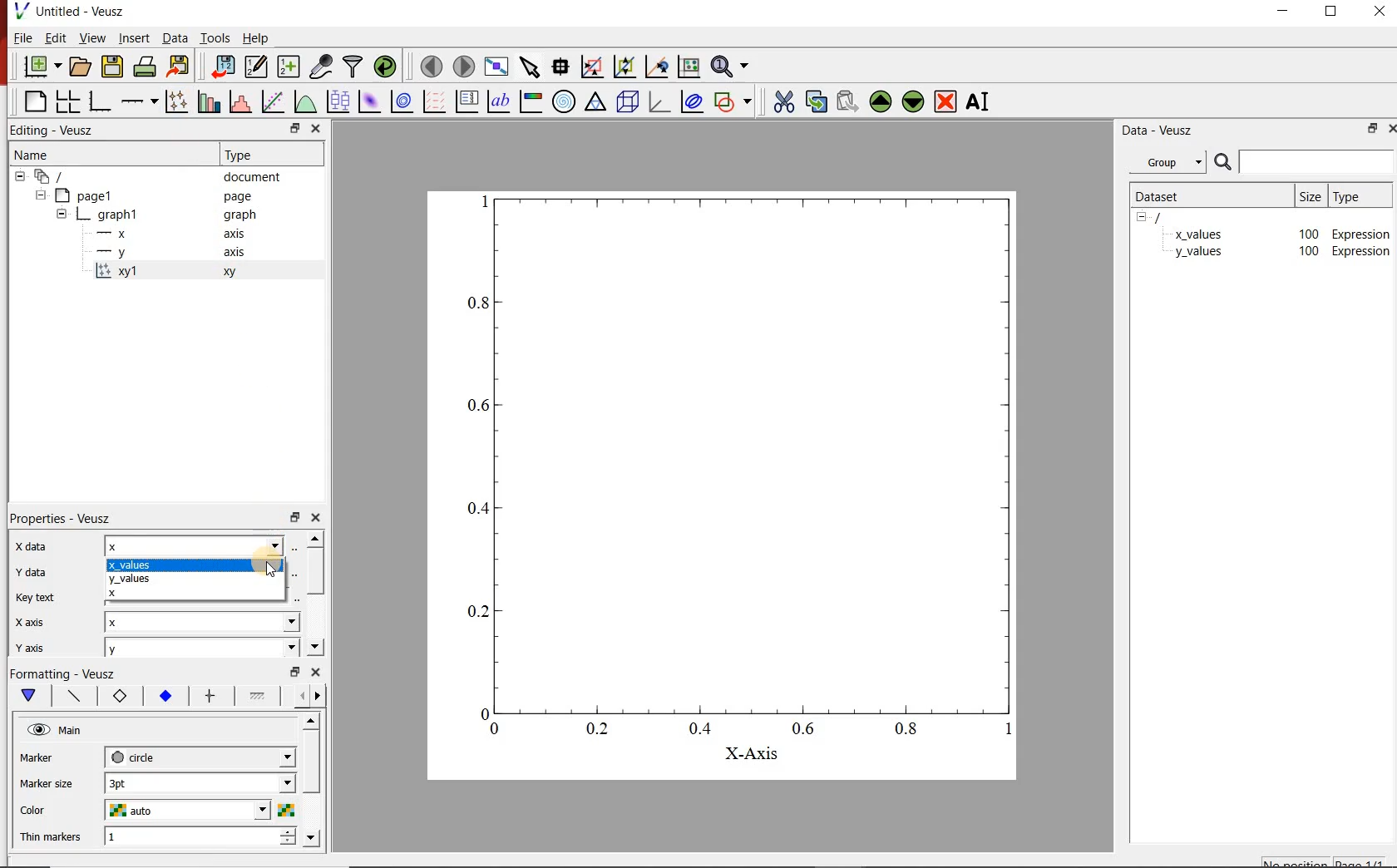 This screenshot has width=1397, height=868. What do you see at coordinates (37, 757) in the screenshot?
I see `Marker` at bounding box center [37, 757].